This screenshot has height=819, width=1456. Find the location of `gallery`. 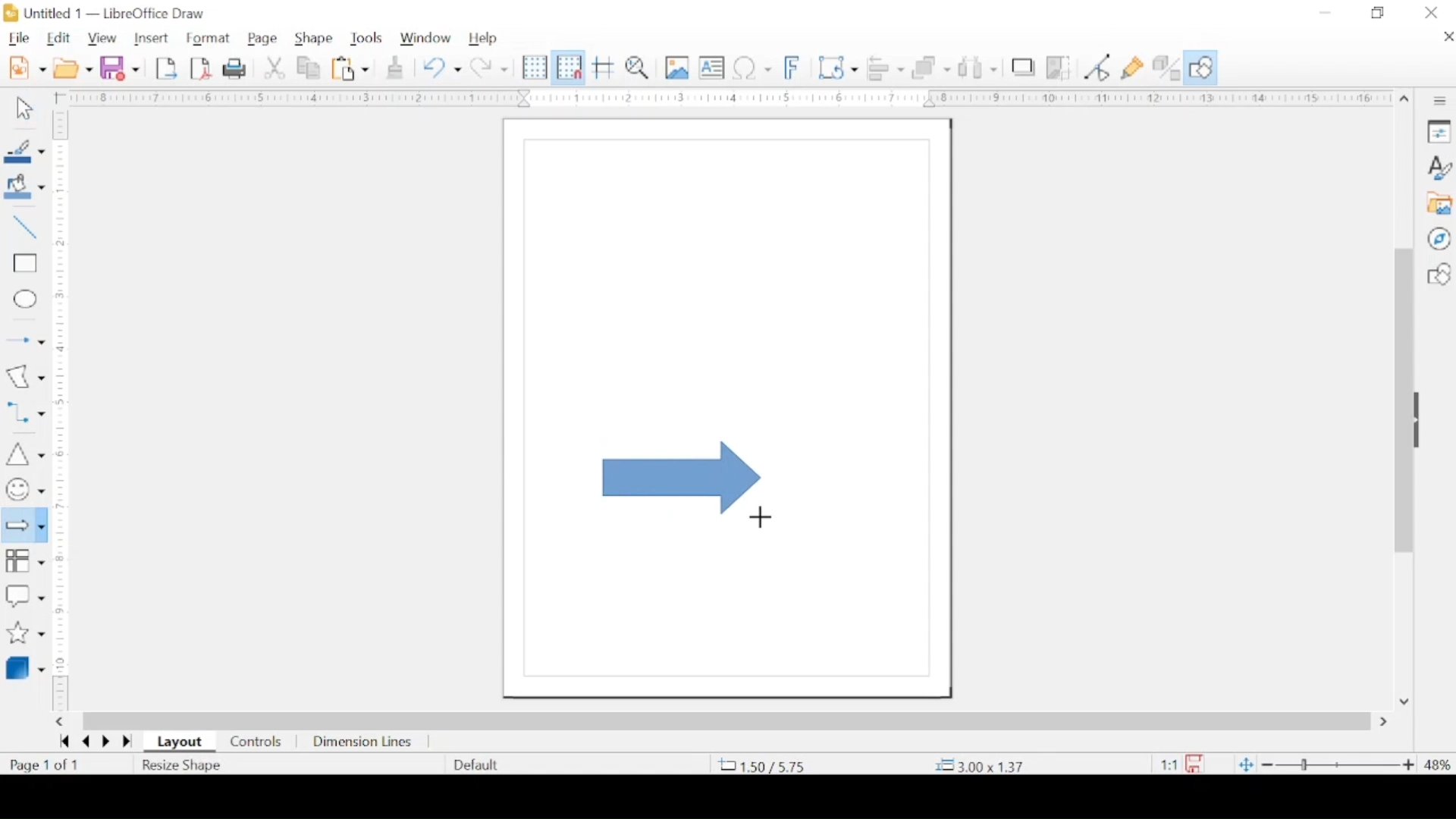

gallery is located at coordinates (1439, 203).